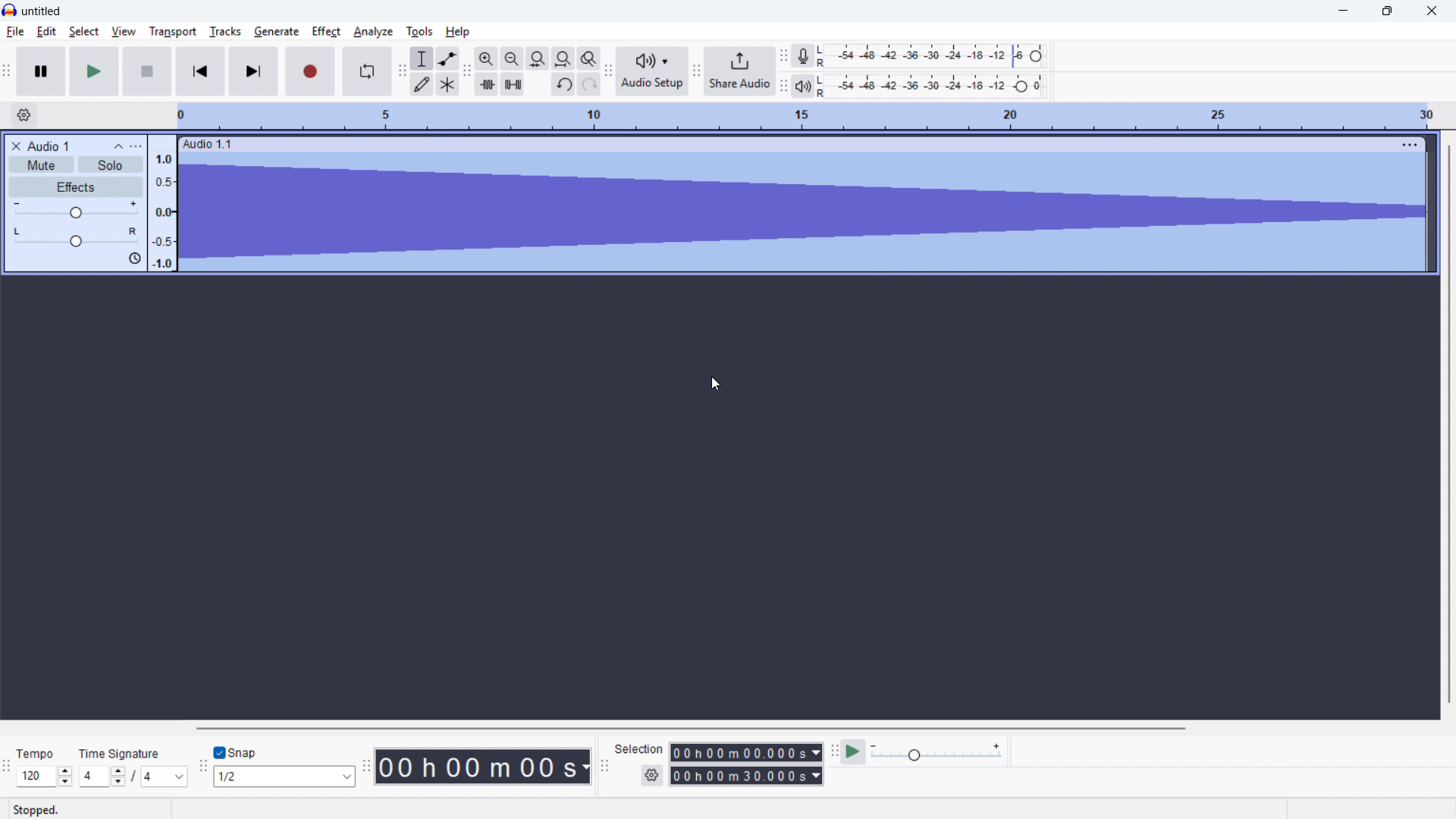 The width and height of the screenshot is (1456, 819). Describe the element at coordinates (697, 71) in the screenshot. I see `Share audio toolbar ` at that location.